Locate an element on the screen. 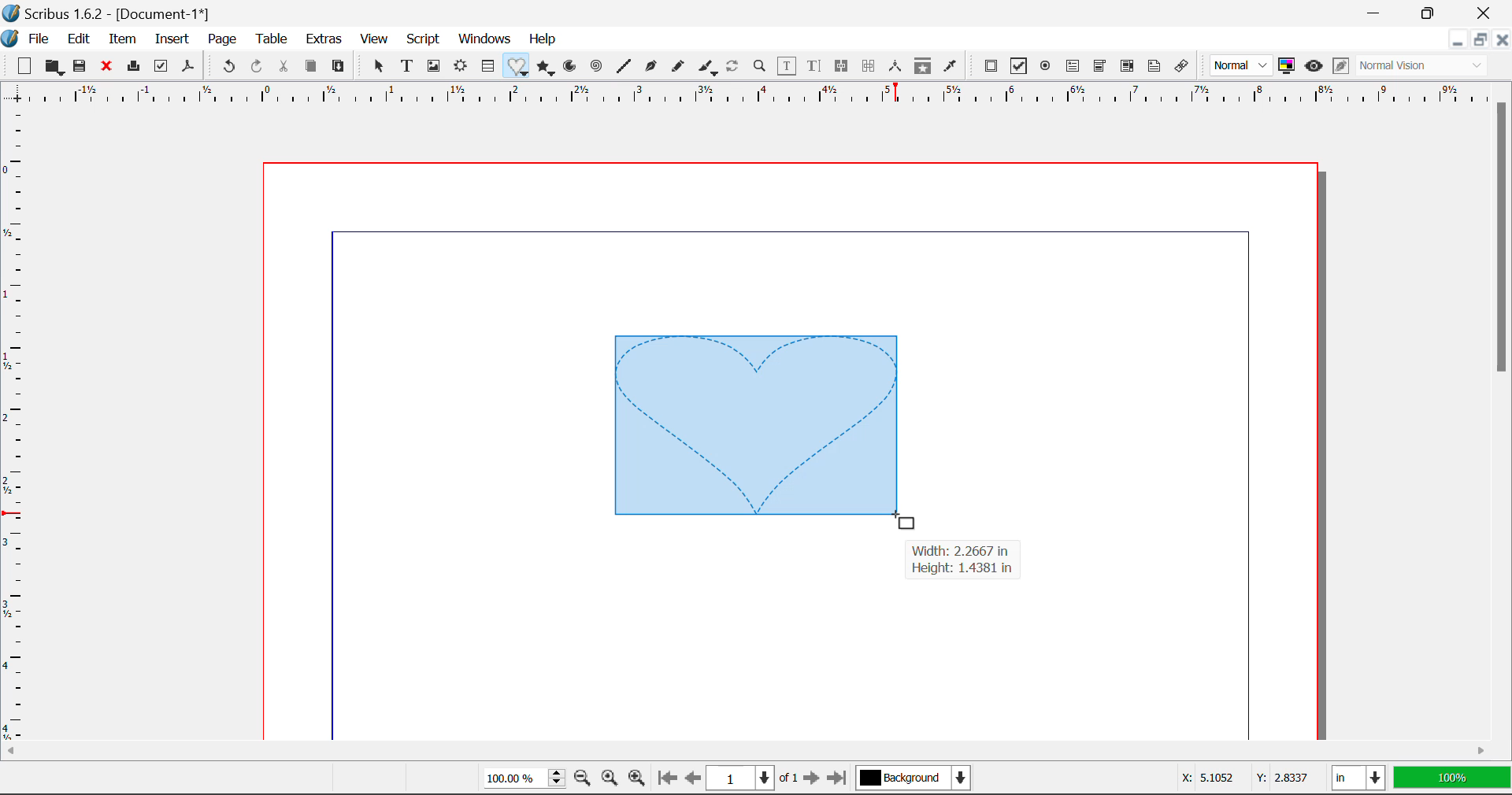 This screenshot has height=795, width=1512. Save is located at coordinates (84, 68).